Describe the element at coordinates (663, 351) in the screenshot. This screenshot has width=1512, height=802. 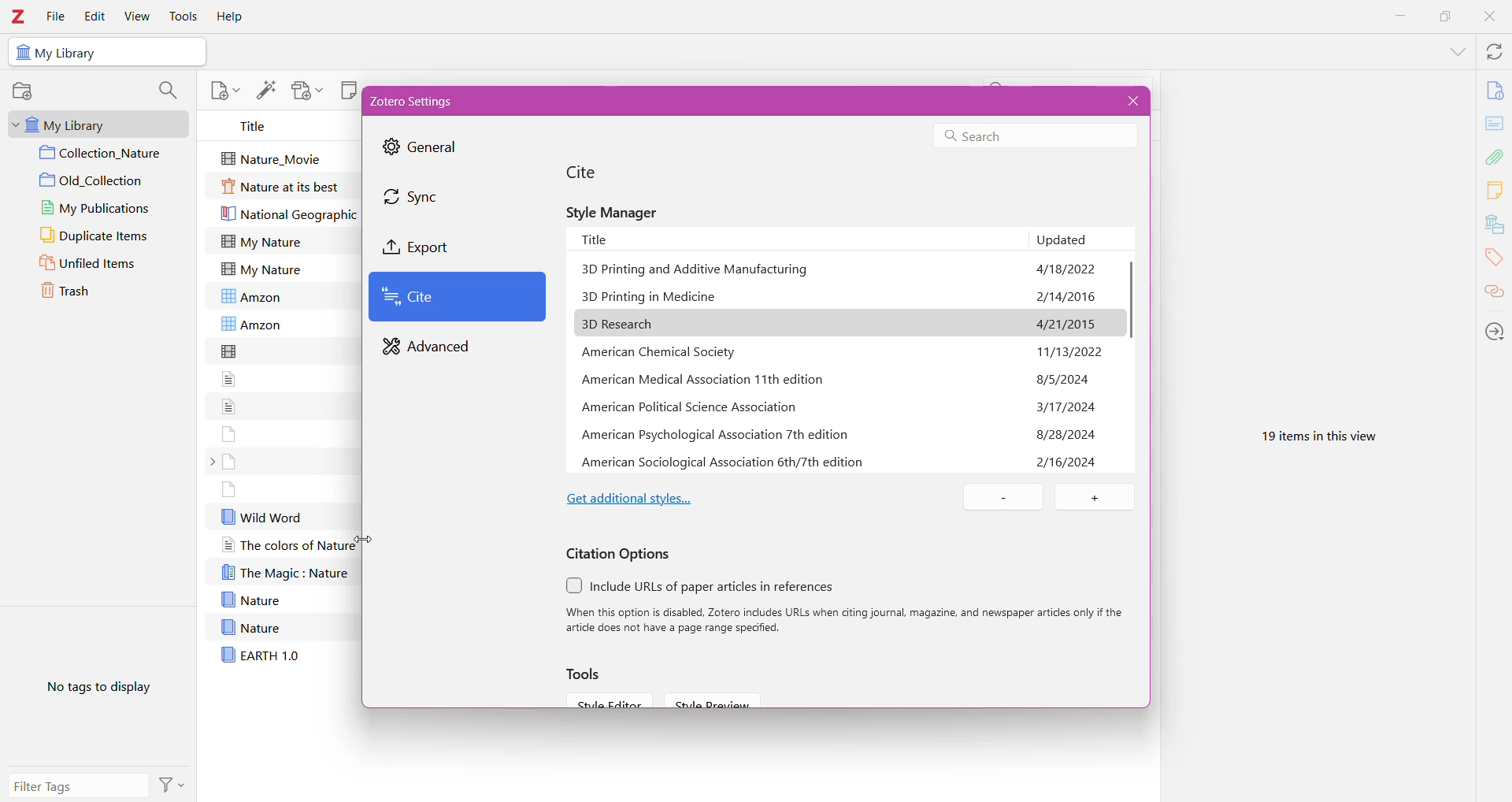
I see `American Chemical Society` at that location.